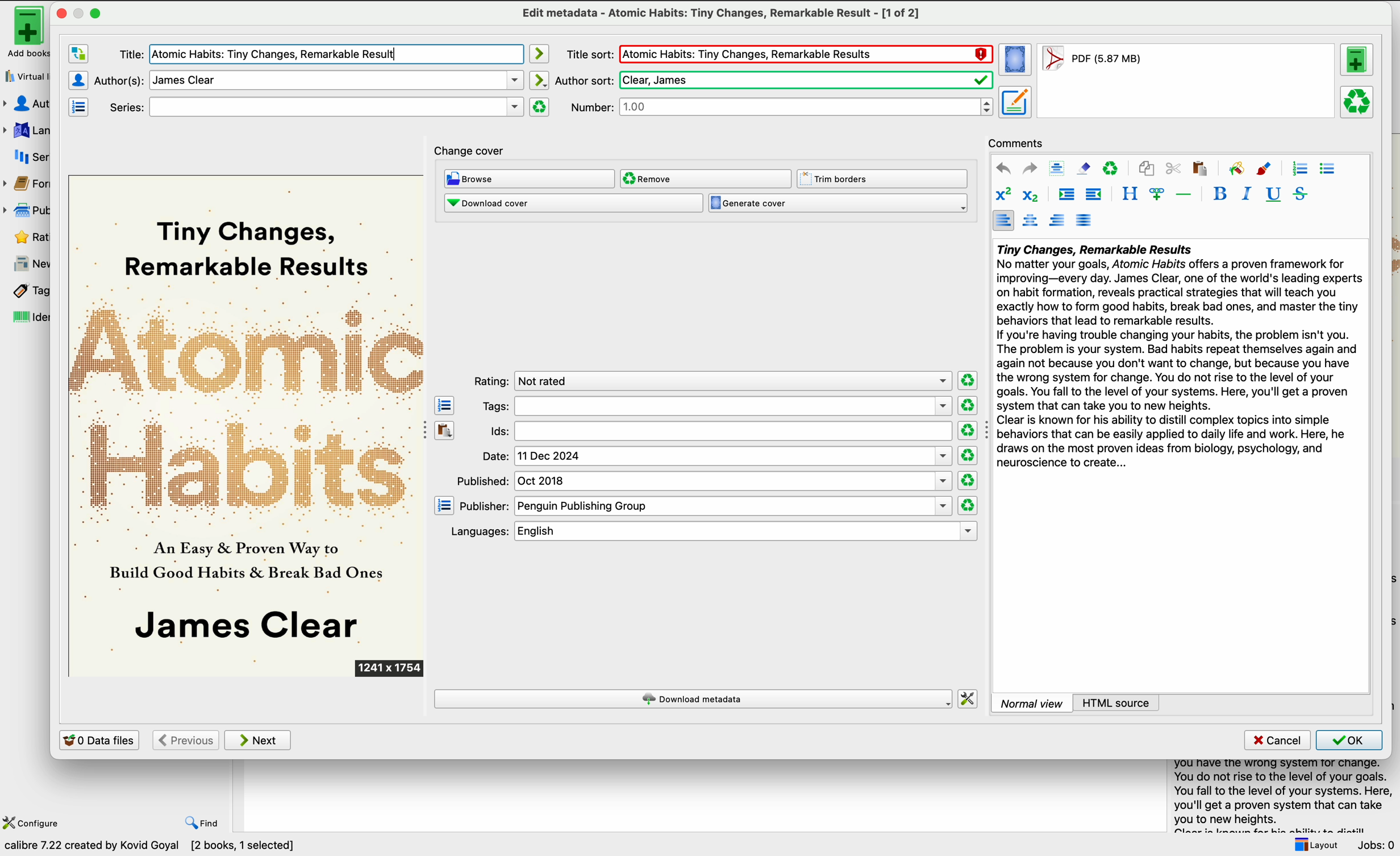 The height and width of the screenshot is (856, 1400). I want to click on generate cover, so click(838, 203).